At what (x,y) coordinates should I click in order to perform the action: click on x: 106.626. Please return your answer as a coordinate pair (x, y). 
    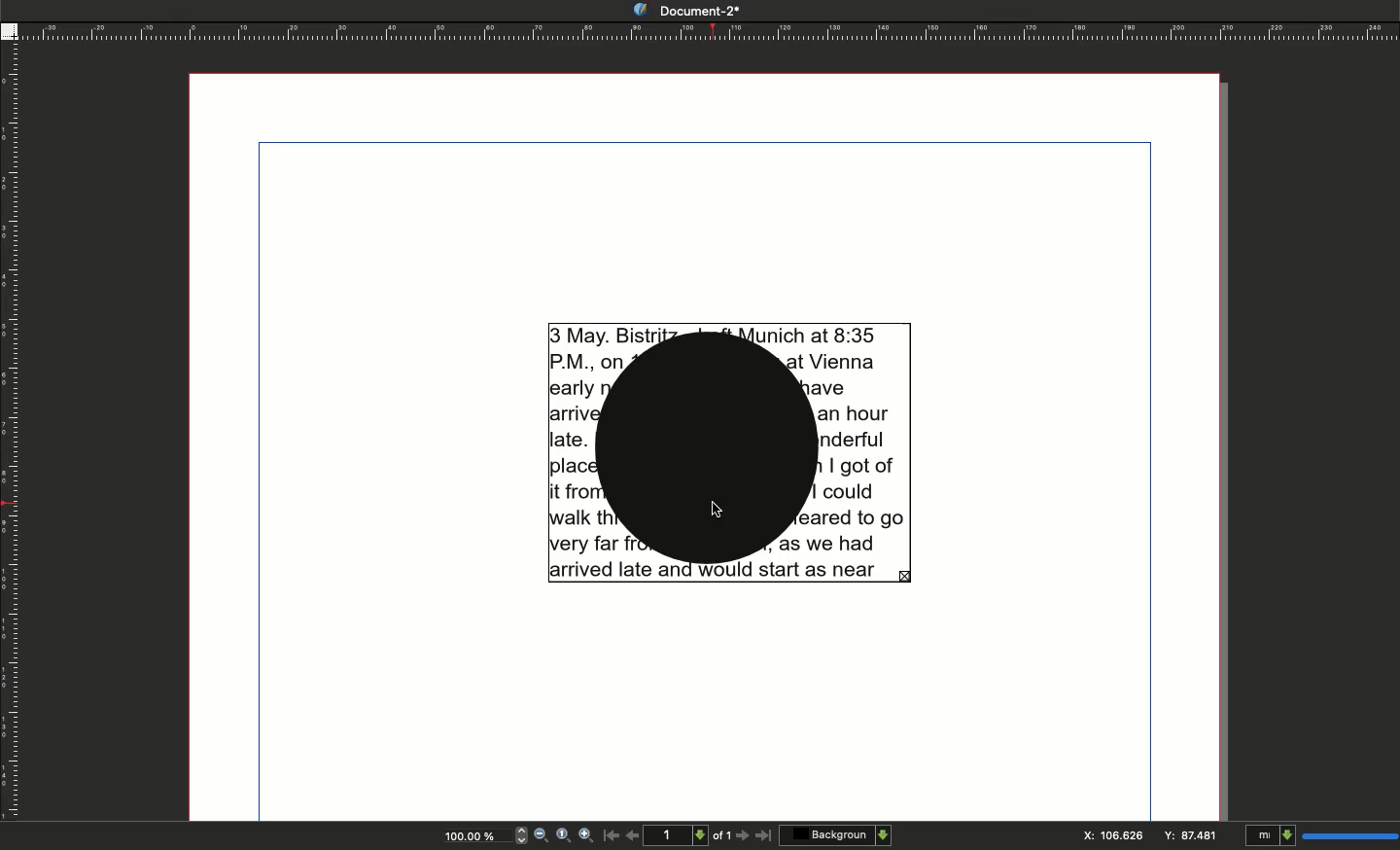
    Looking at the image, I should click on (1106, 834).